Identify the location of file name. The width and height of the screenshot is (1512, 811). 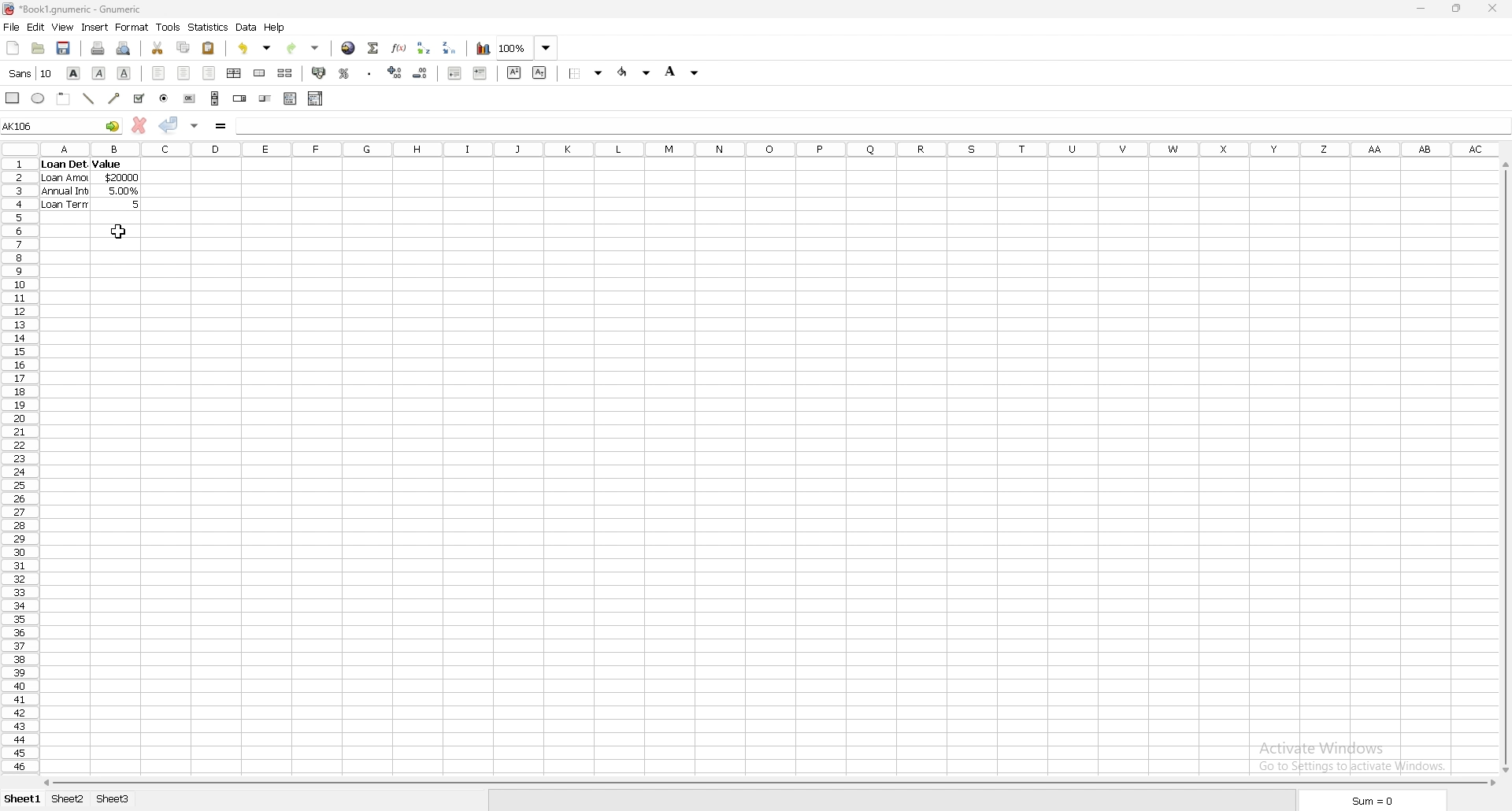
(74, 9).